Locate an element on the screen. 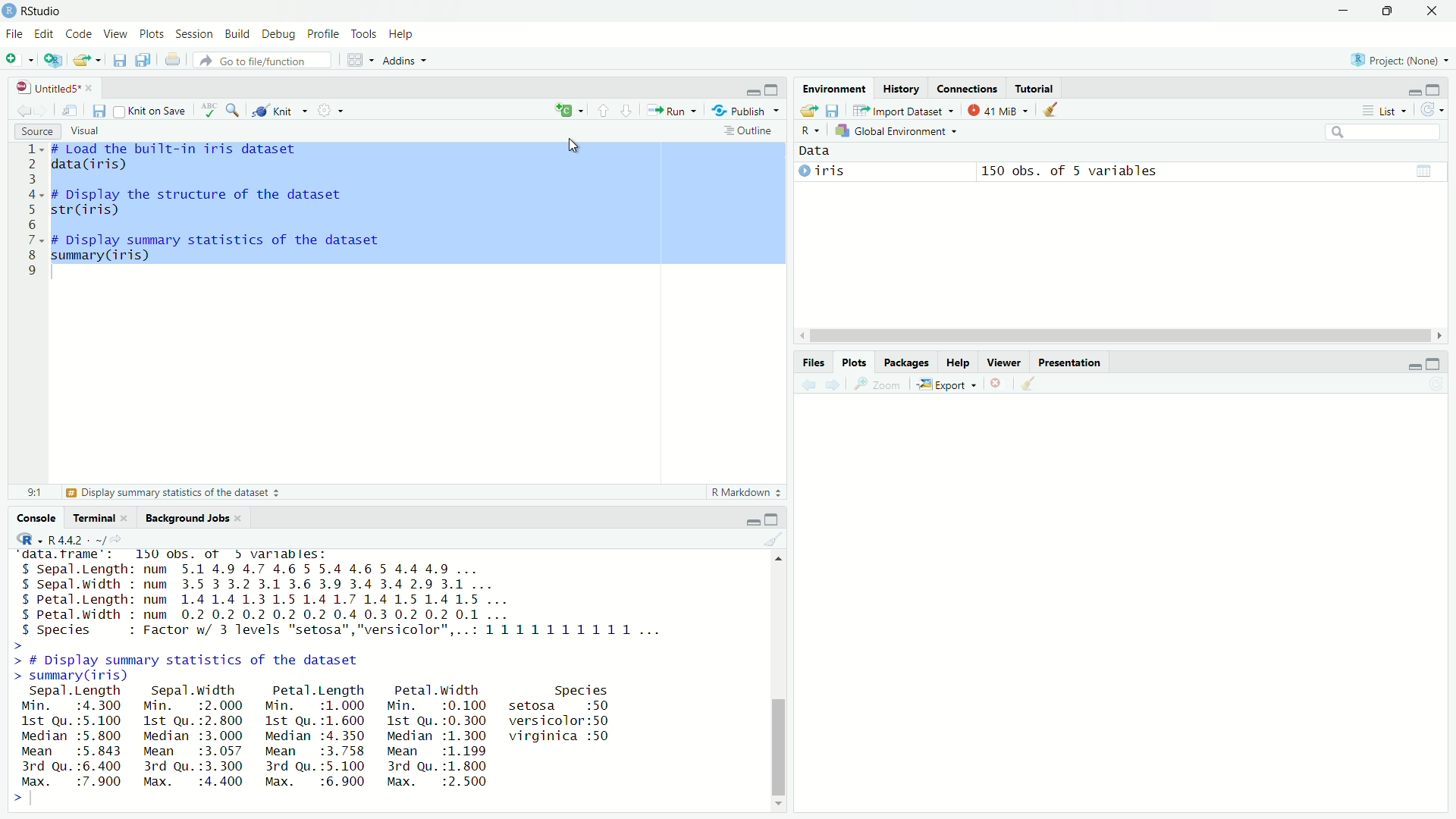  Scroll bar is located at coordinates (781, 685).